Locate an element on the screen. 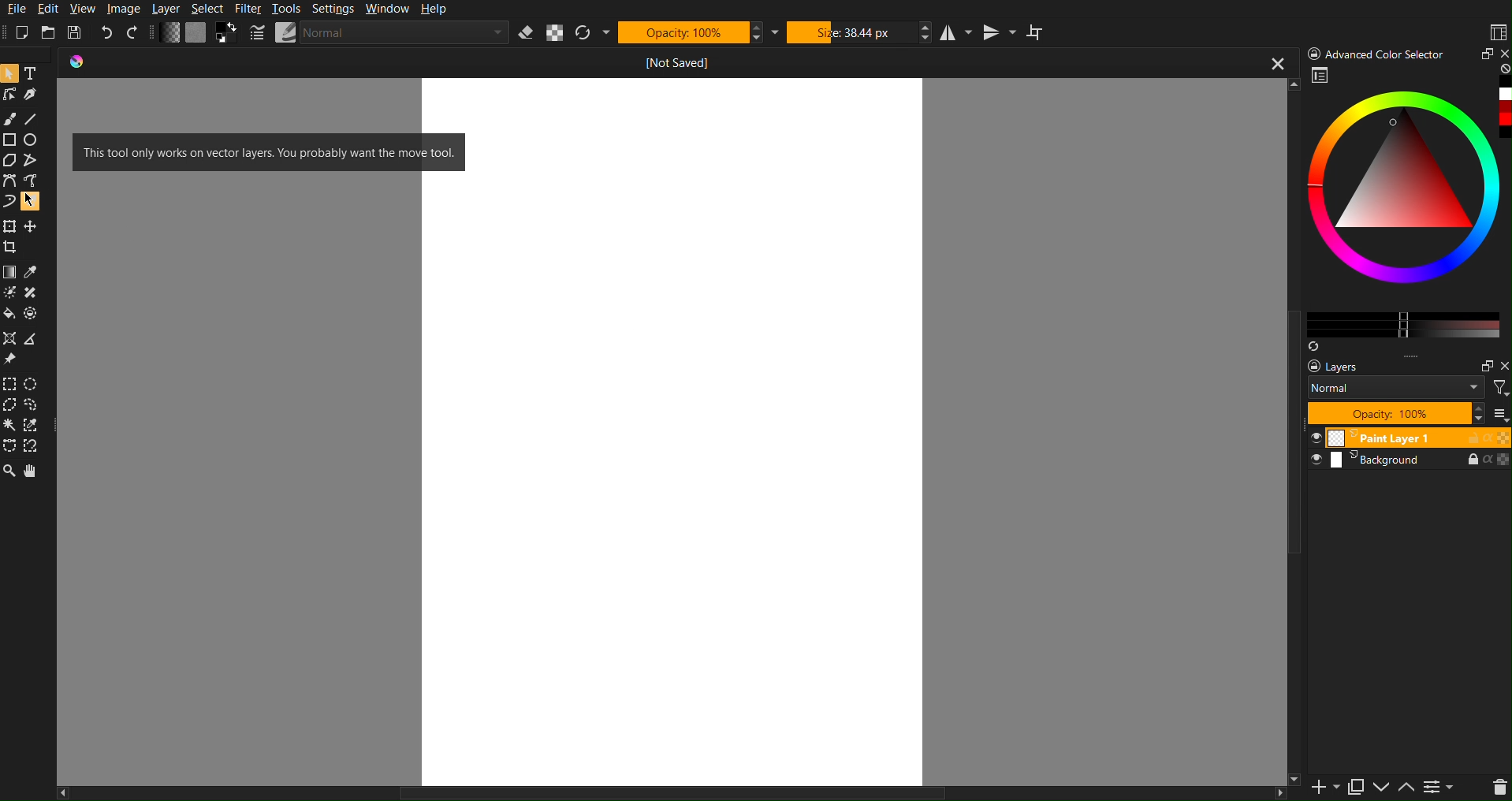 The height and width of the screenshot is (801, 1512). Color Pallet is located at coordinates (35, 317).